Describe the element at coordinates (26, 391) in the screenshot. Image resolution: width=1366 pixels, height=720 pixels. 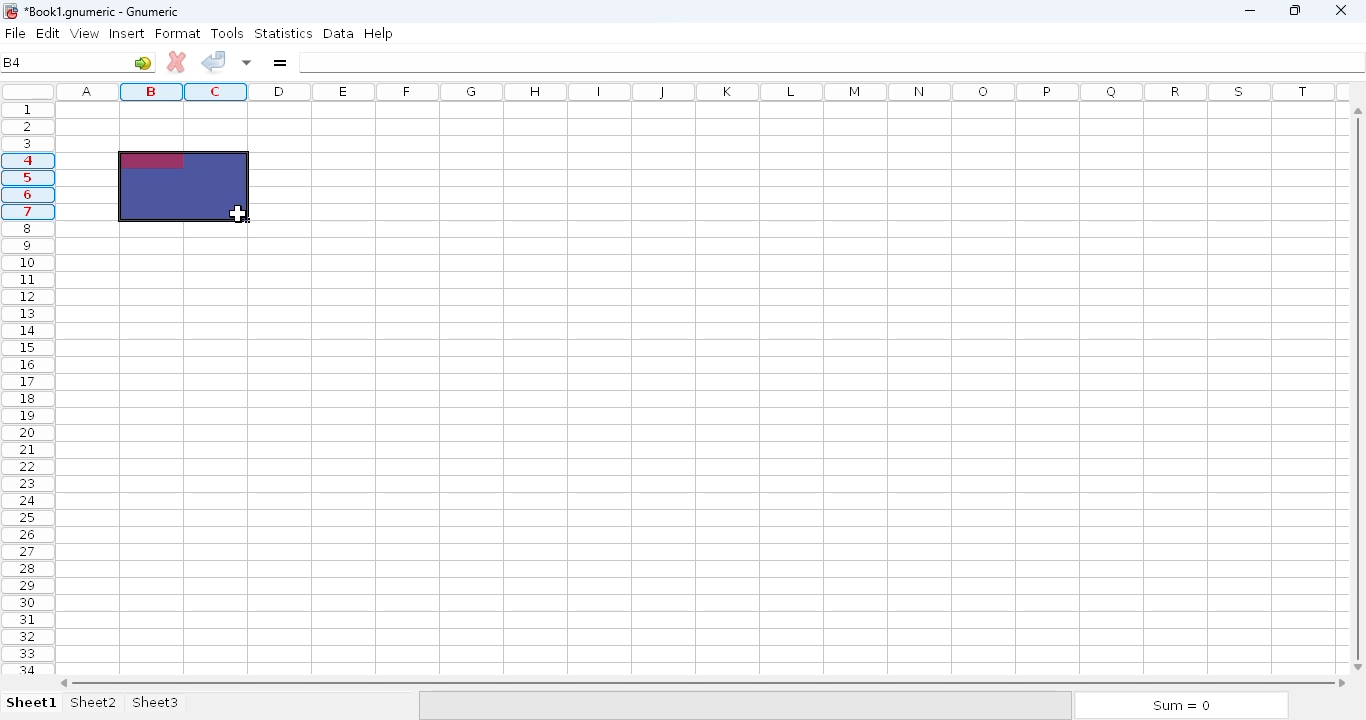
I see `rows` at that location.